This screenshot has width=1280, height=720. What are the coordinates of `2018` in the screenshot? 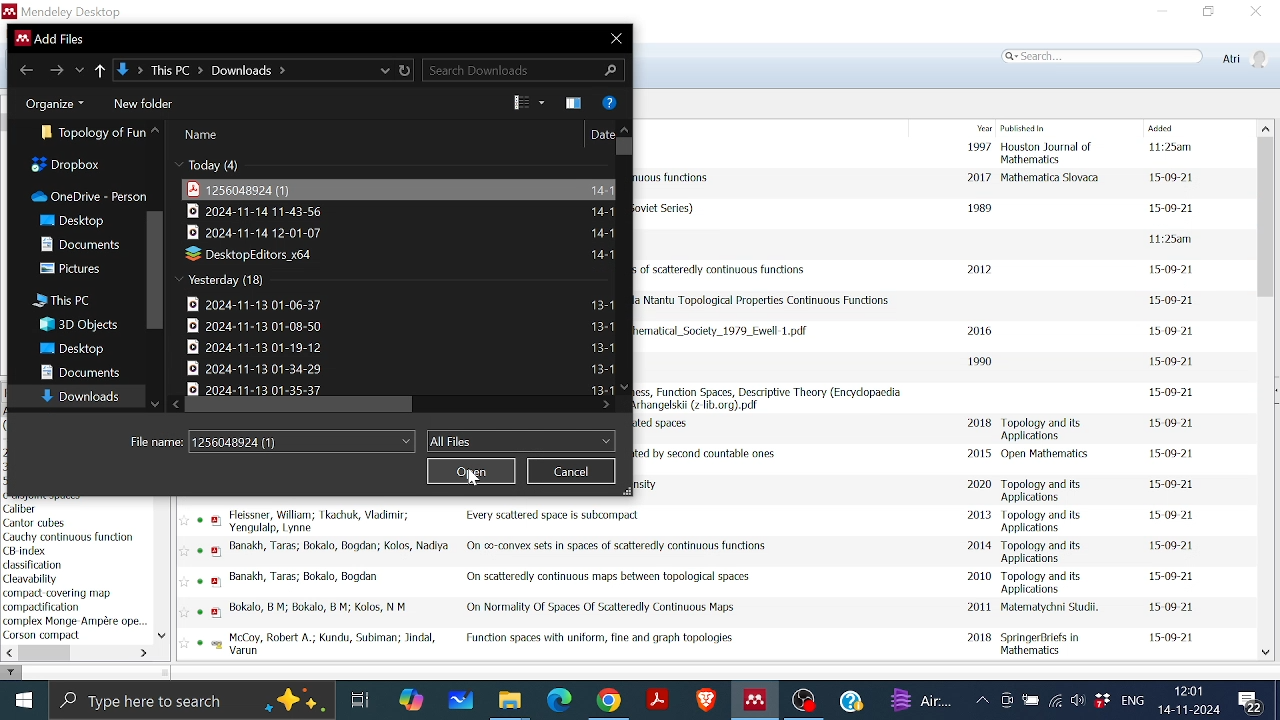 It's located at (975, 423).